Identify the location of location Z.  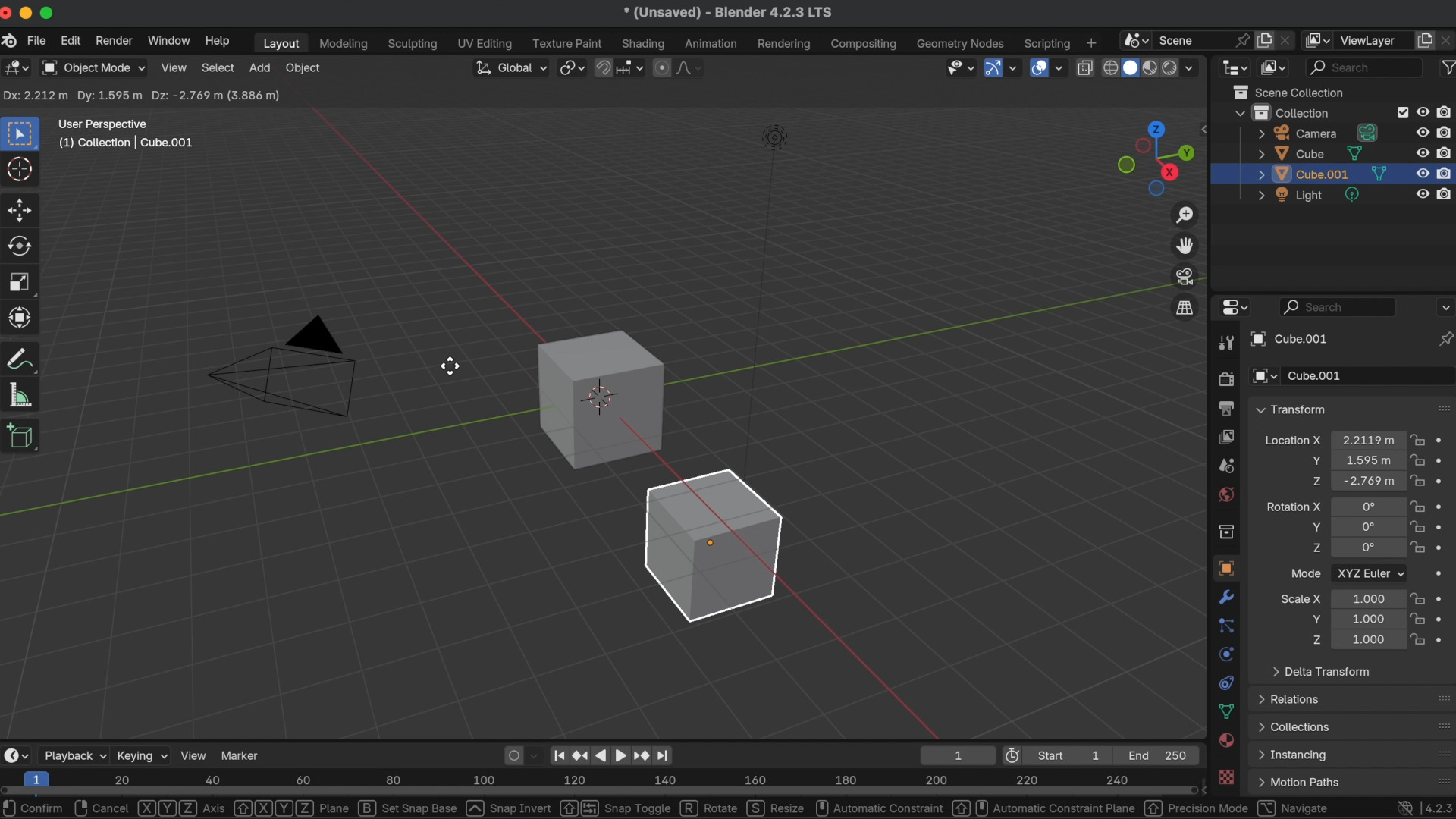
(1316, 481).